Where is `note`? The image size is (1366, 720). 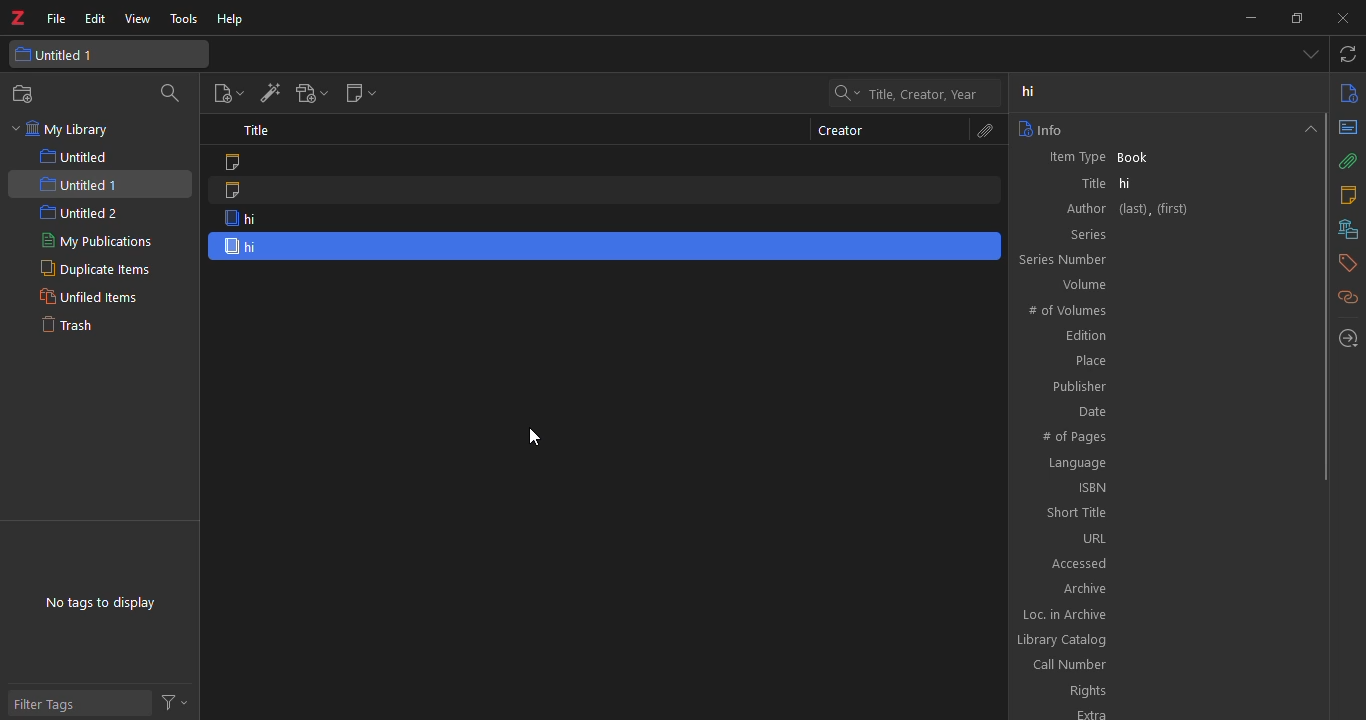
note is located at coordinates (238, 161).